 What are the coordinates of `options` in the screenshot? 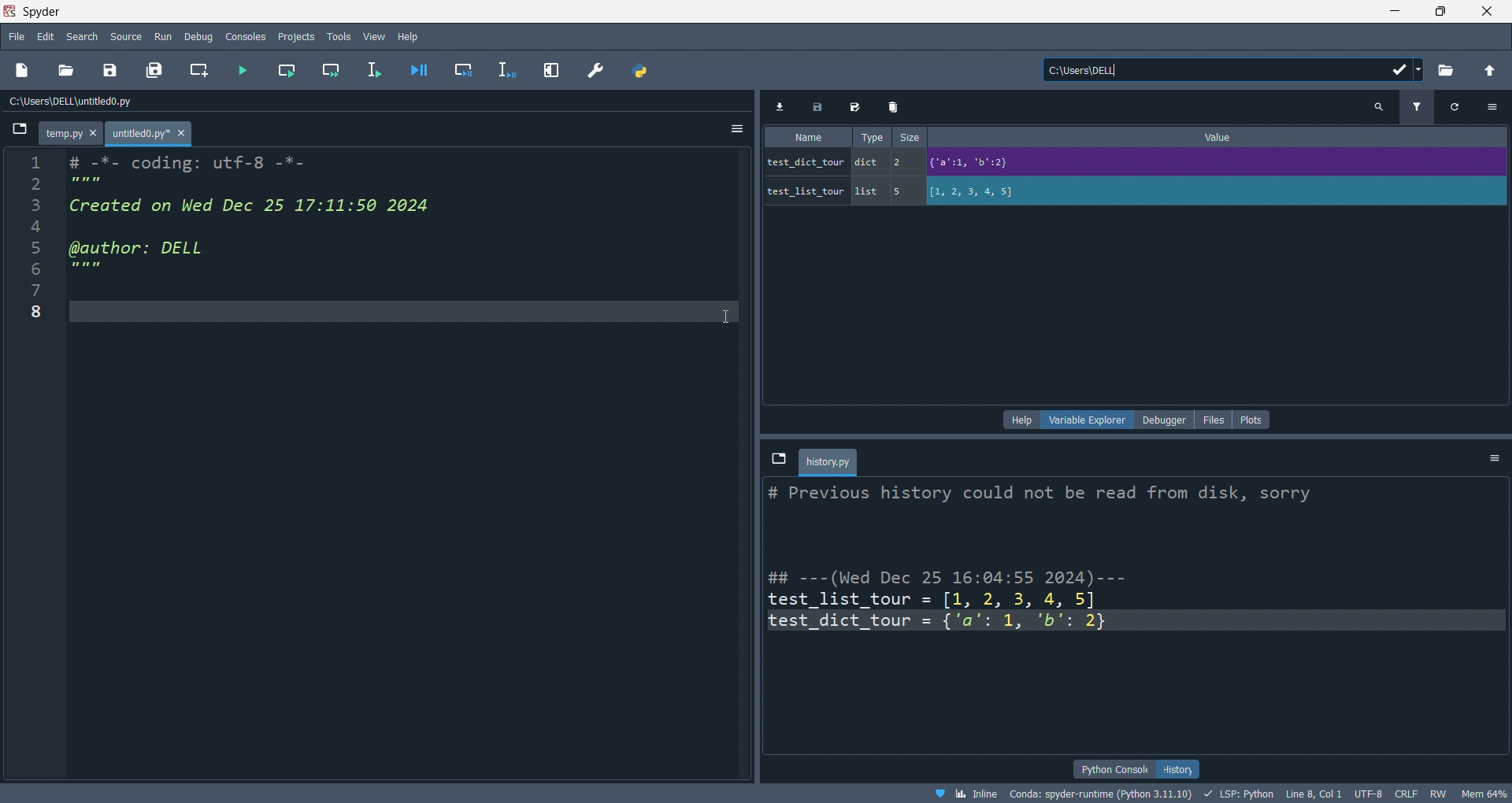 It's located at (1492, 106).